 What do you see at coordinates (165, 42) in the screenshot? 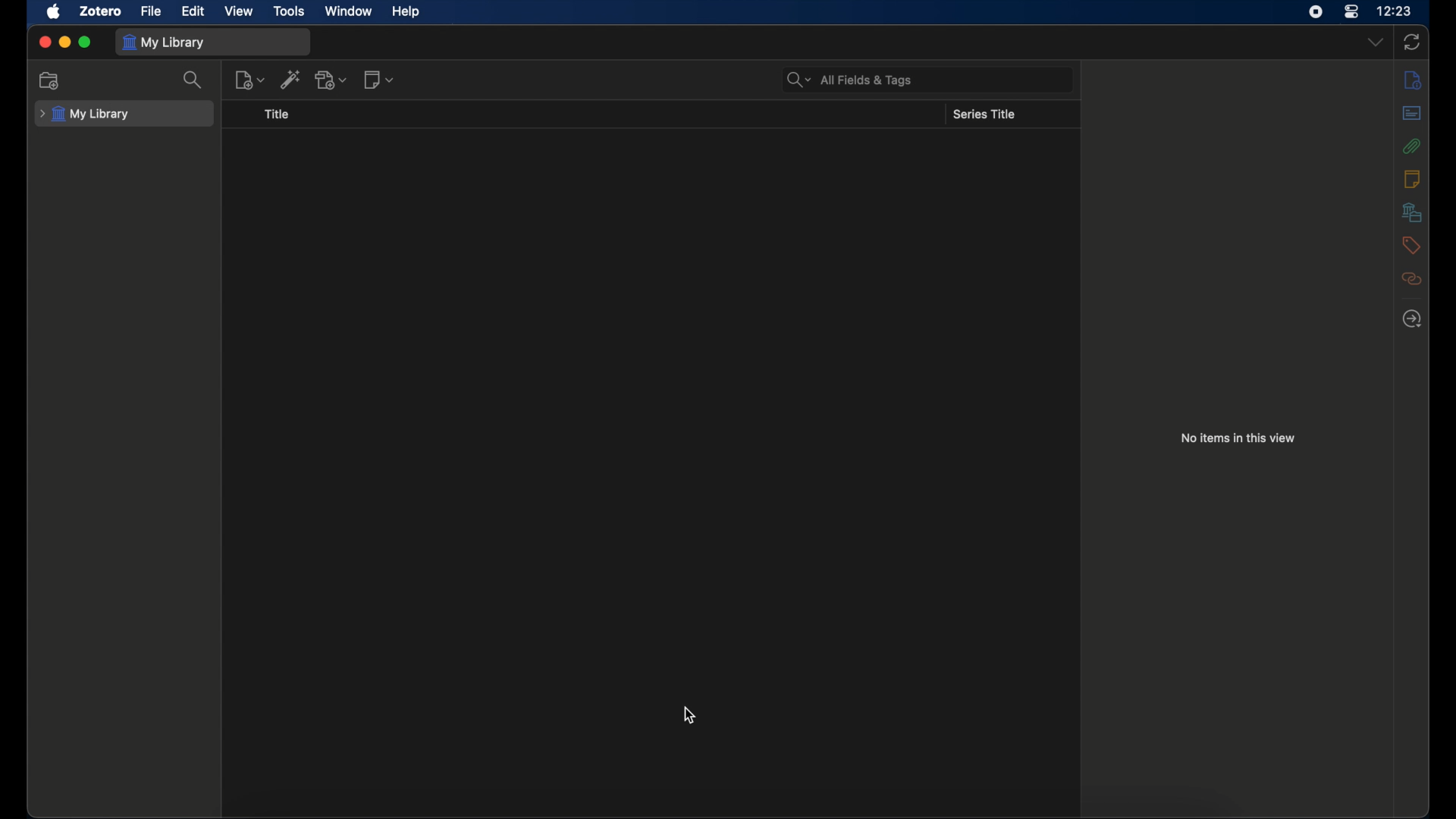
I see `my library` at bounding box center [165, 42].